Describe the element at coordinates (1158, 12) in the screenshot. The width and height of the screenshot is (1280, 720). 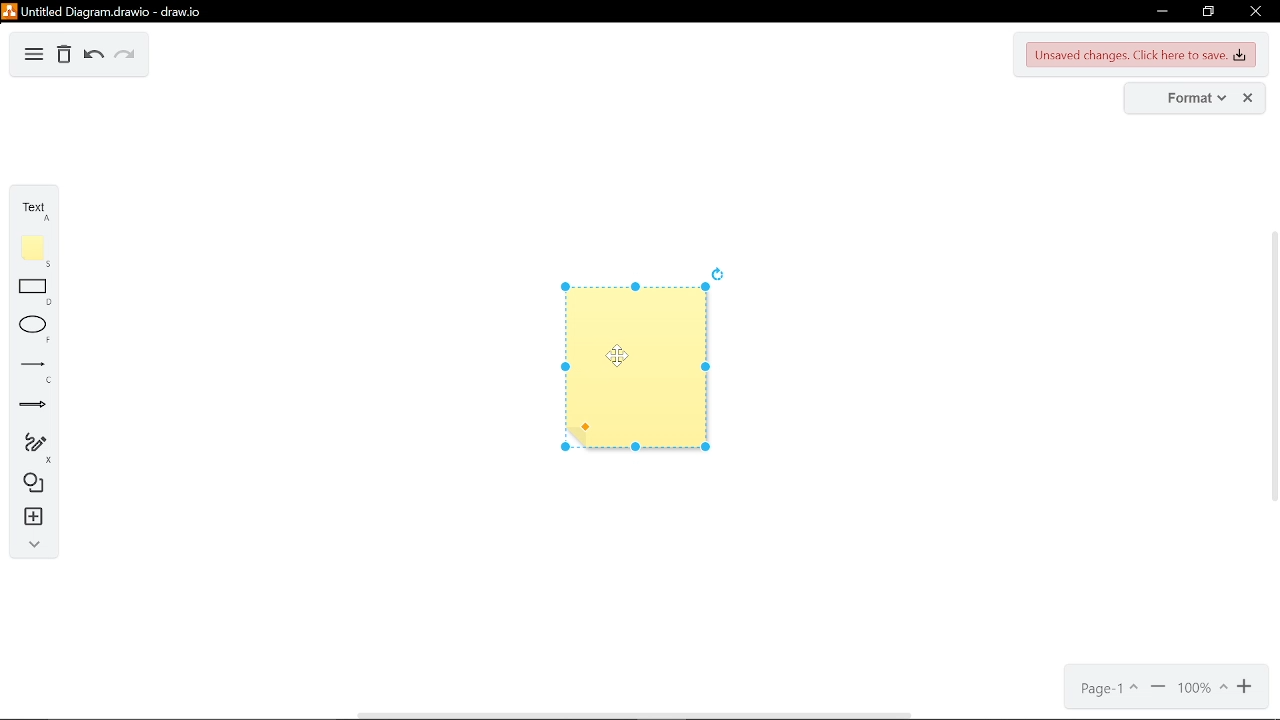
I see `minimize` at that location.